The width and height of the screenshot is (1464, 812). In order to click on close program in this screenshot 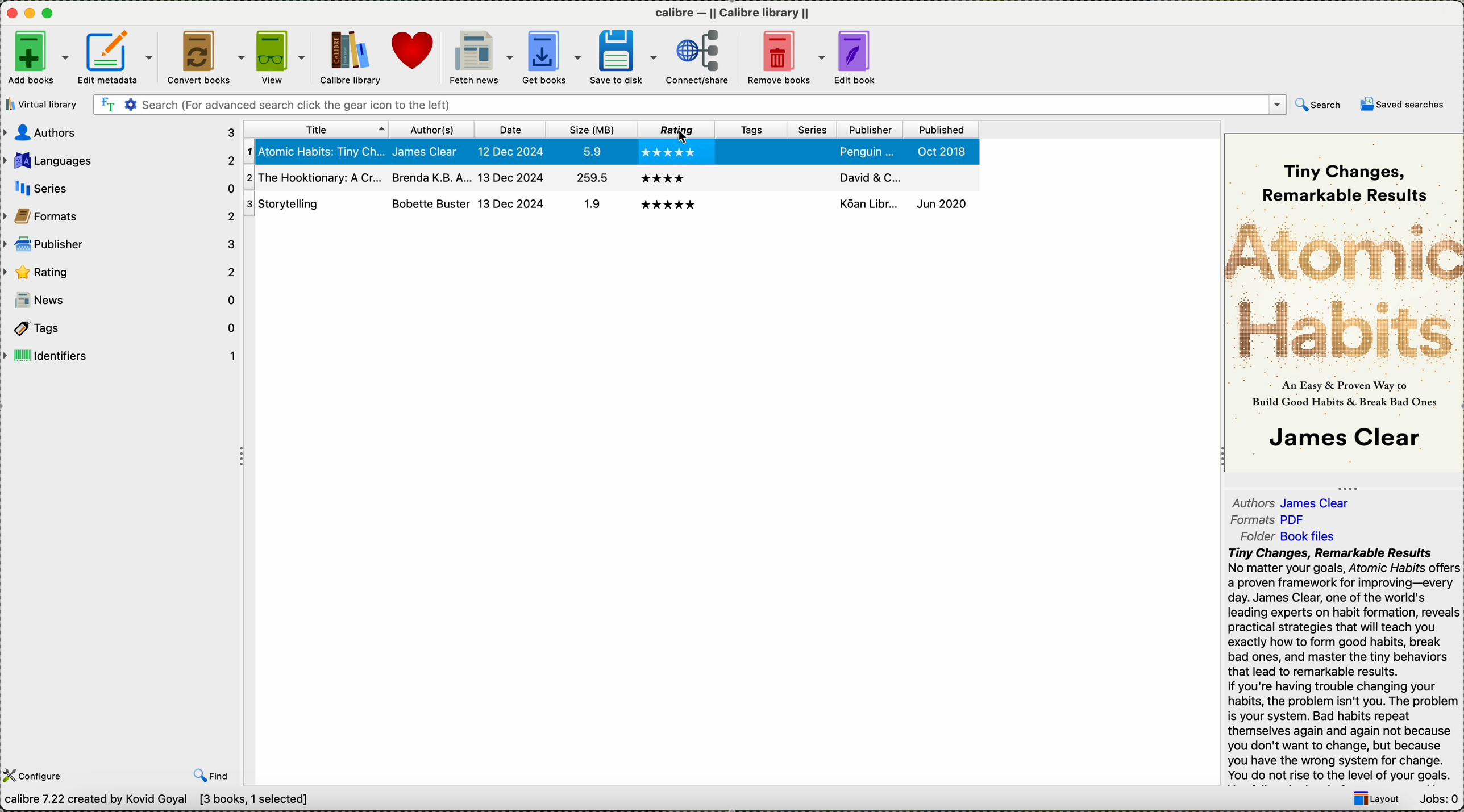, I will do `click(10, 12)`.